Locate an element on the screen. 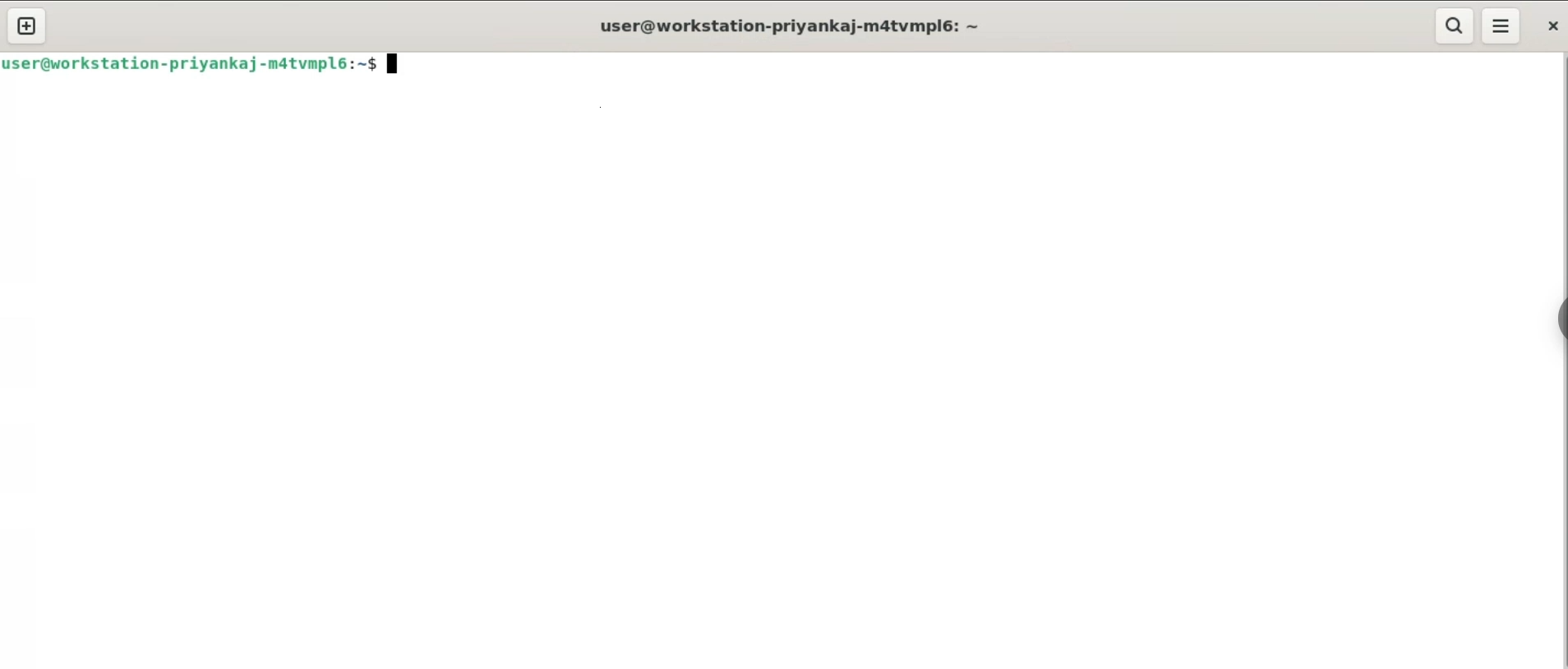 This screenshot has width=1568, height=669. user@workstation-priyankaj-m4tvmplé: ~ is located at coordinates (792, 27).